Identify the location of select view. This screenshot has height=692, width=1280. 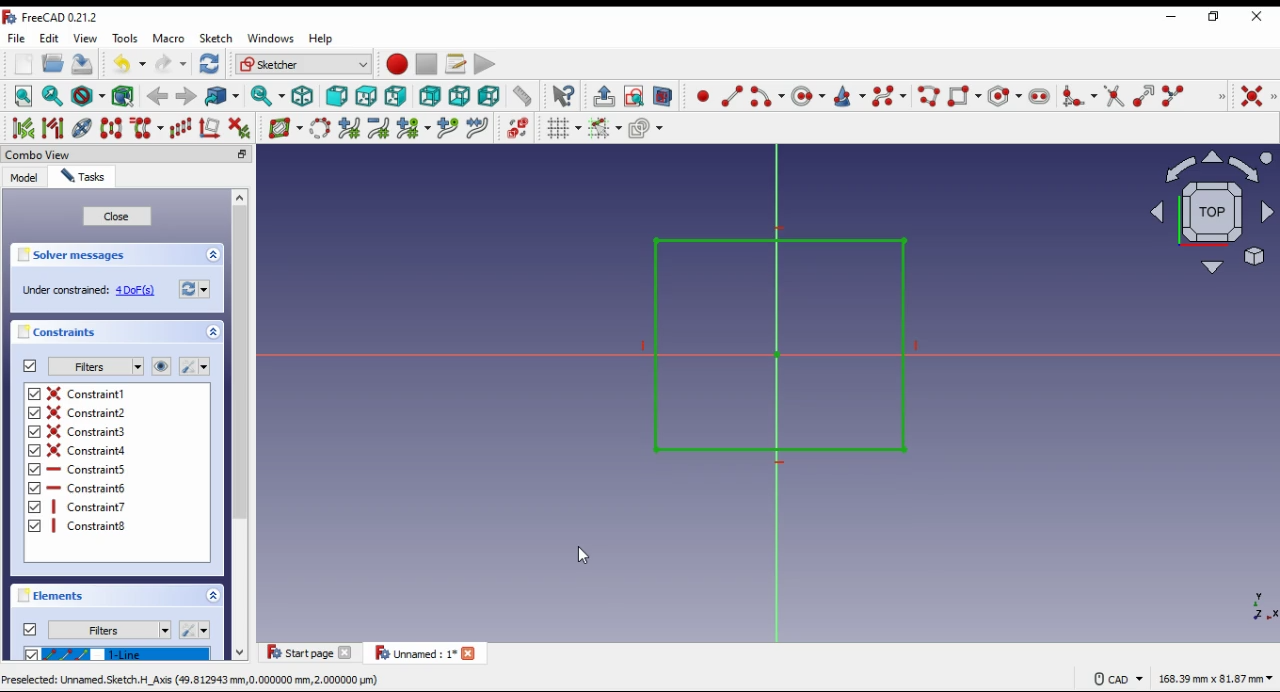
(1208, 212).